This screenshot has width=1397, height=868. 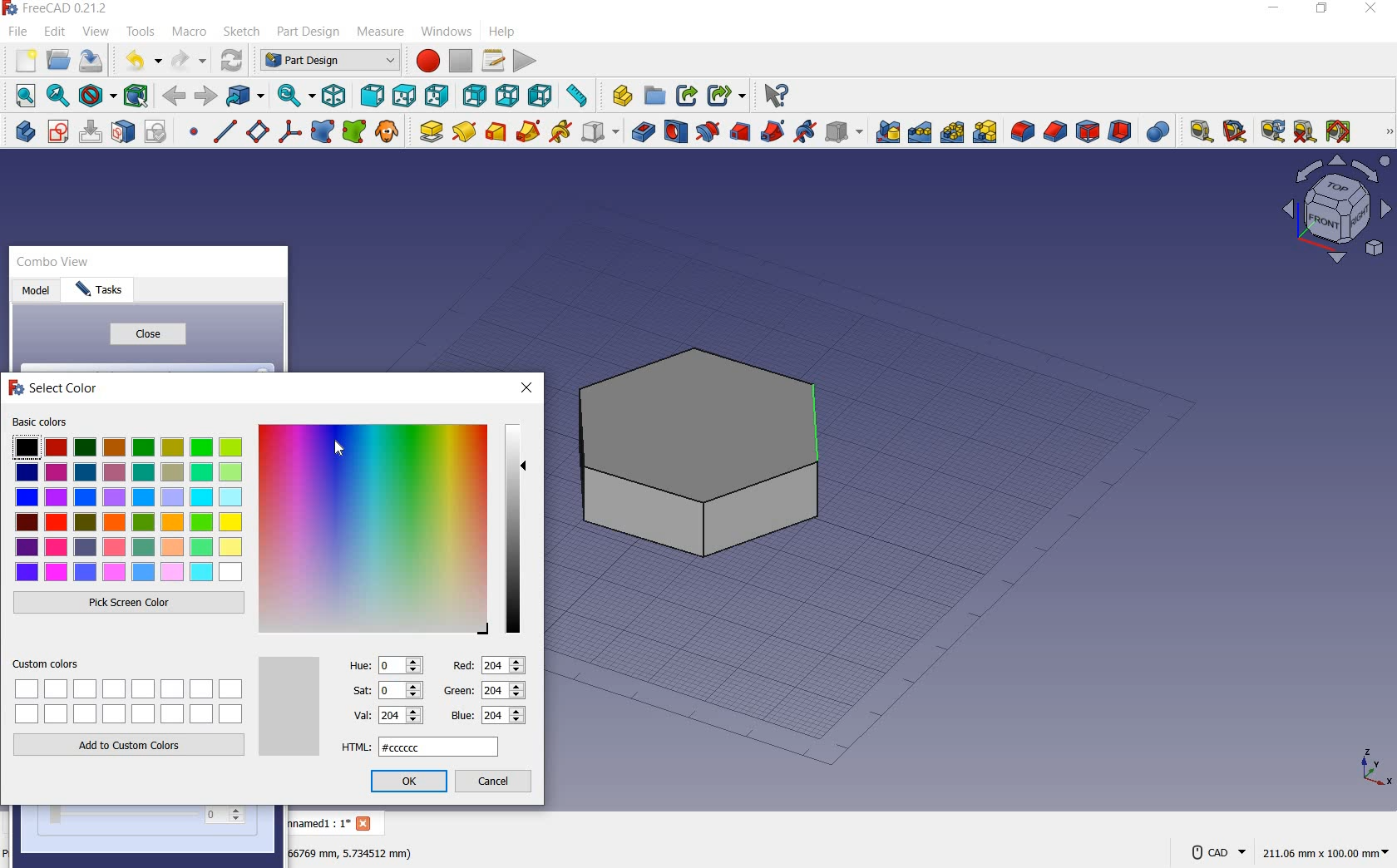 What do you see at coordinates (641, 131) in the screenshot?
I see `pocket` at bounding box center [641, 131].